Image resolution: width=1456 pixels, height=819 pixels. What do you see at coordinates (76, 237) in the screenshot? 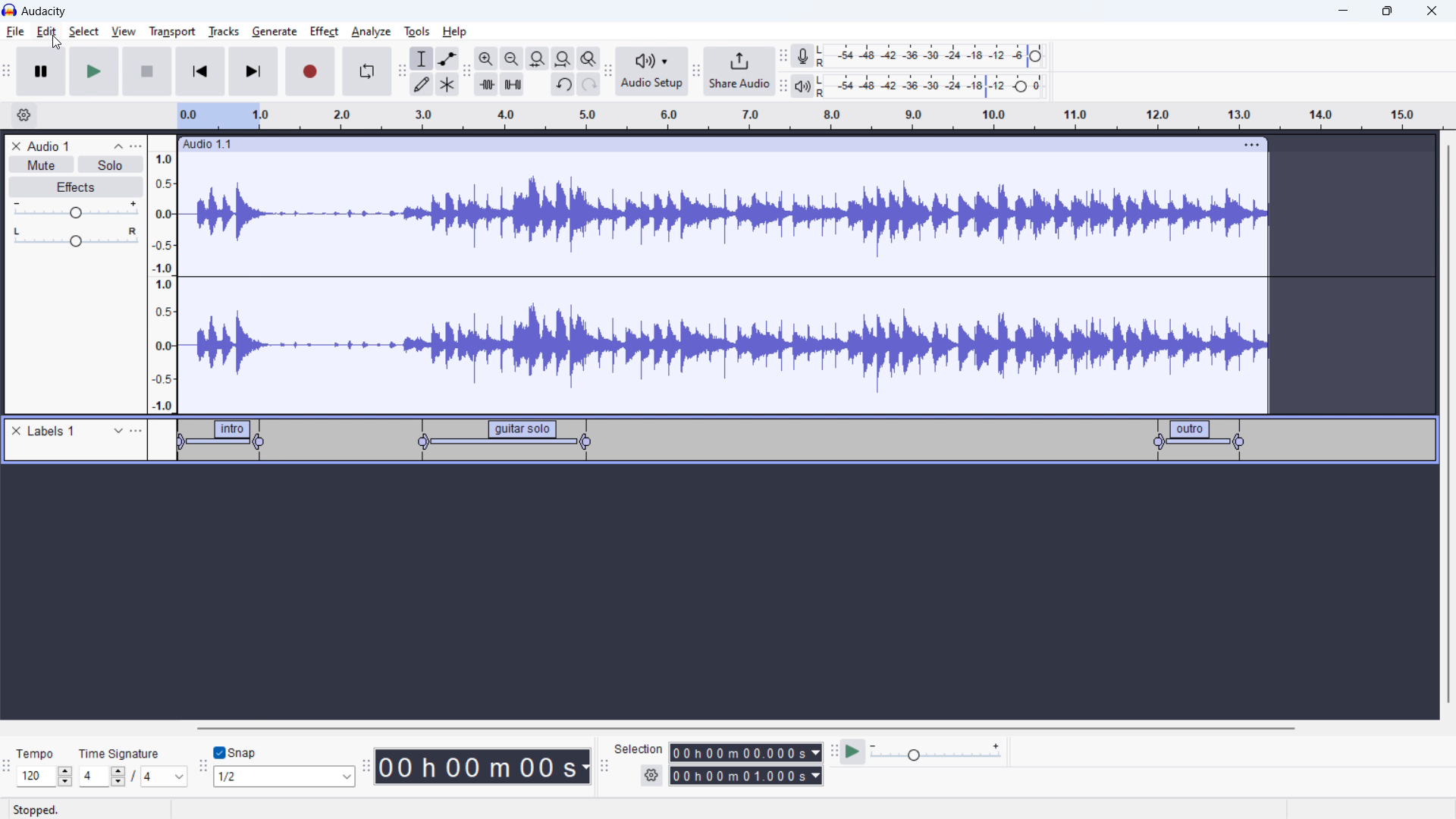
I see `pan` at bounding box center [76, 237].